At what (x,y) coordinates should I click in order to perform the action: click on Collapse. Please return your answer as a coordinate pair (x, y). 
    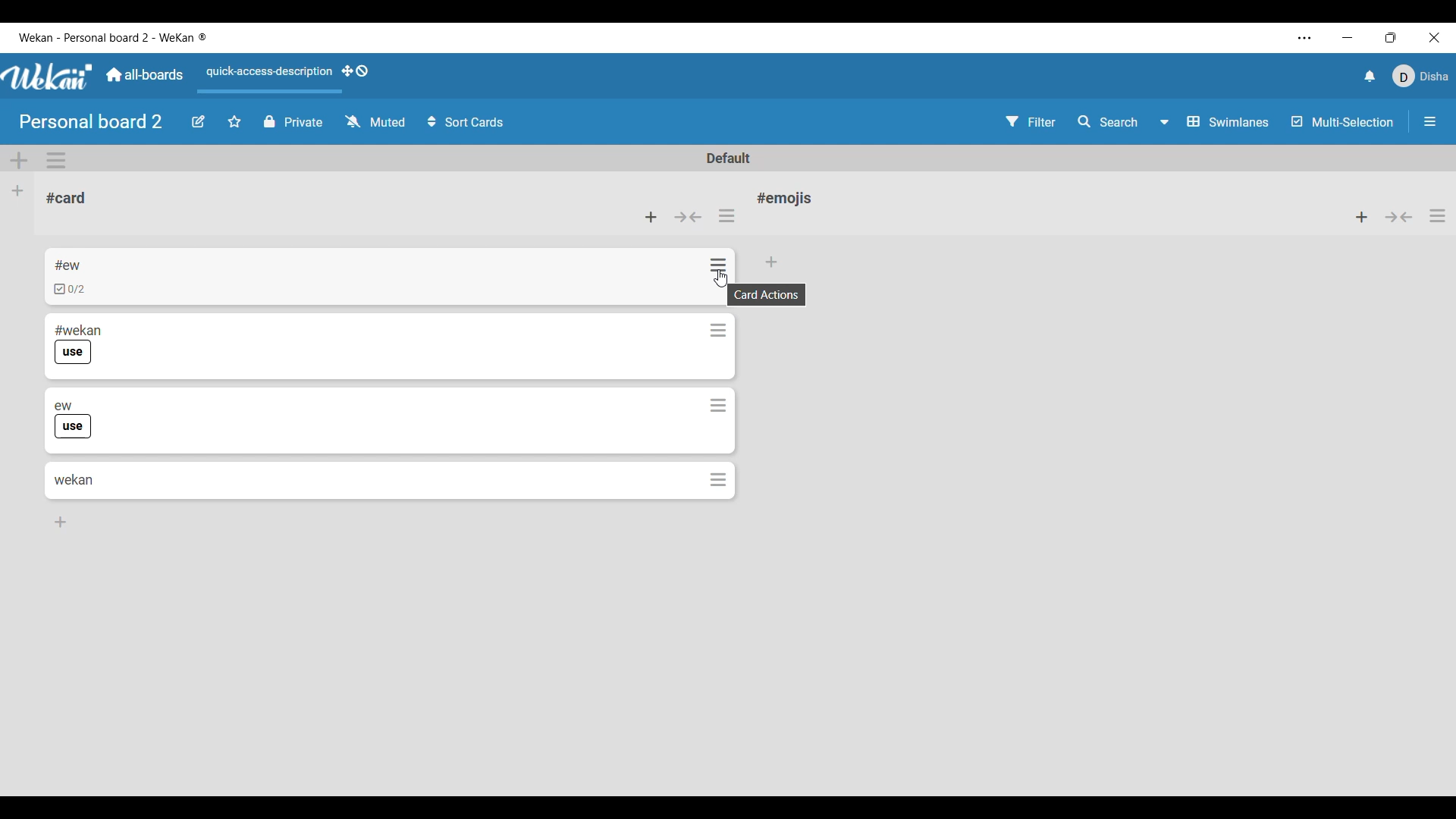
    Looking at the image, I should click on (687, 218).